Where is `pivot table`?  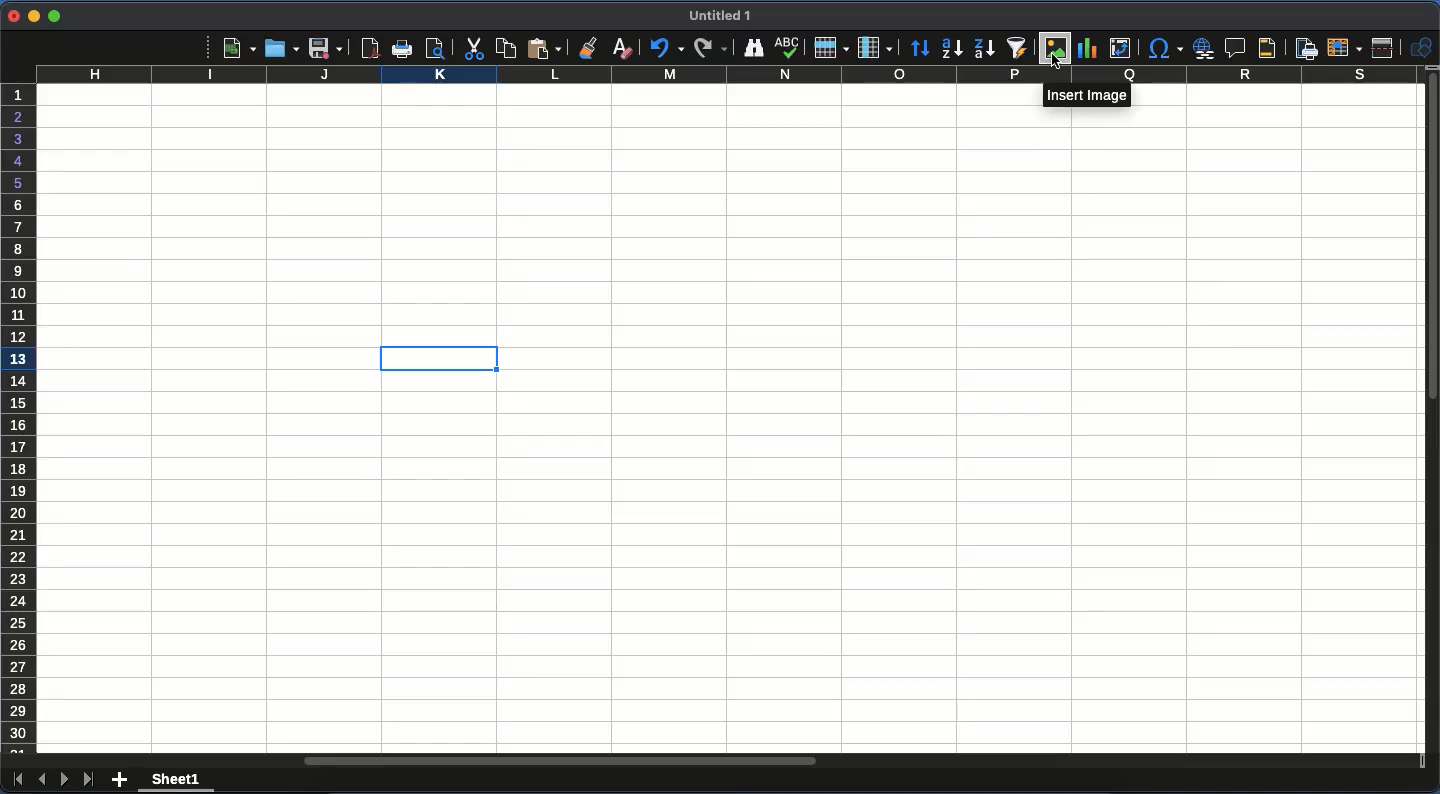
pivot table is located at coordinates (1119, 48).